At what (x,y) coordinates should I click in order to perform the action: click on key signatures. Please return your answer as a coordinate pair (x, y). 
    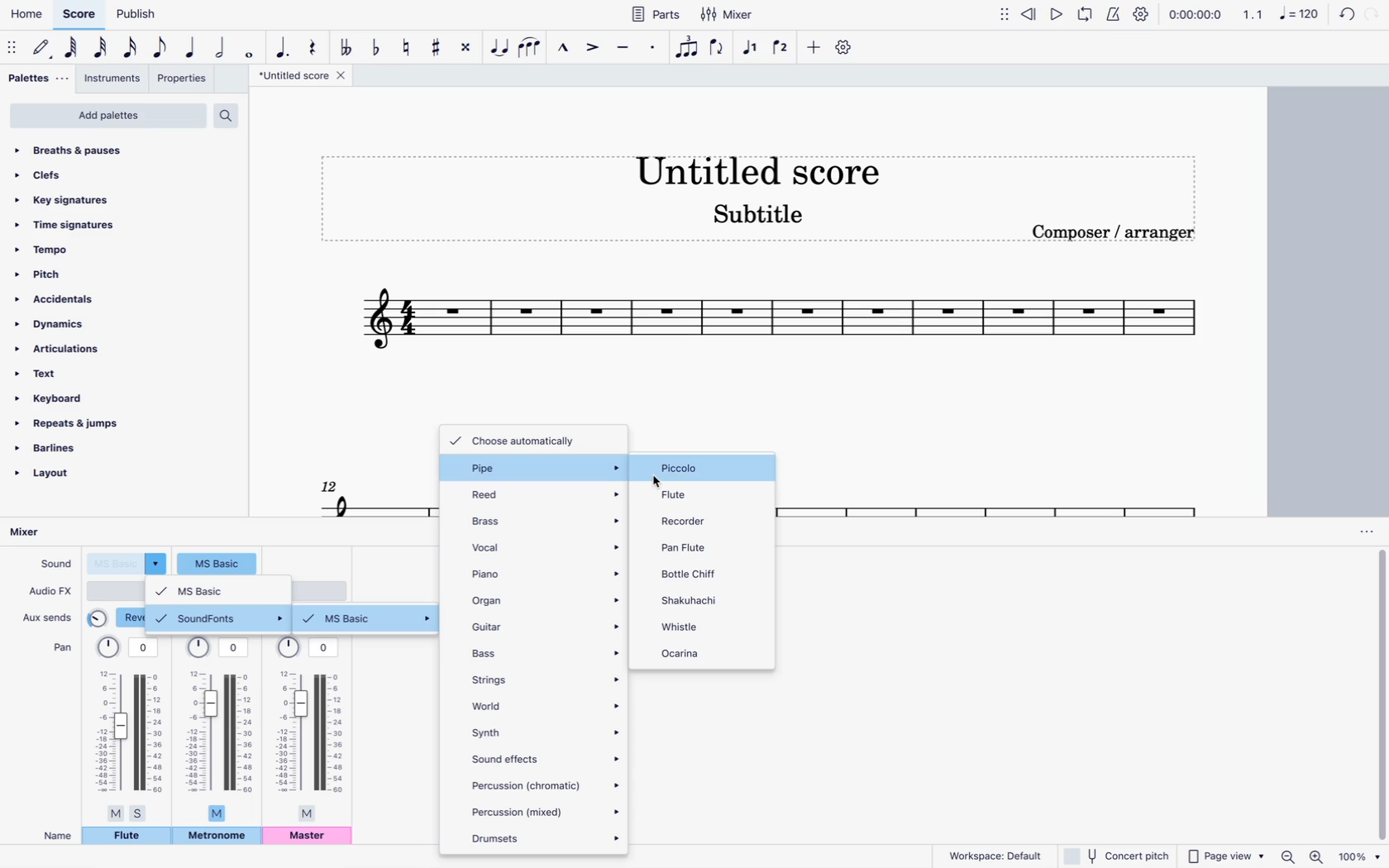
    Looking at the image, I should click on (65, 199).